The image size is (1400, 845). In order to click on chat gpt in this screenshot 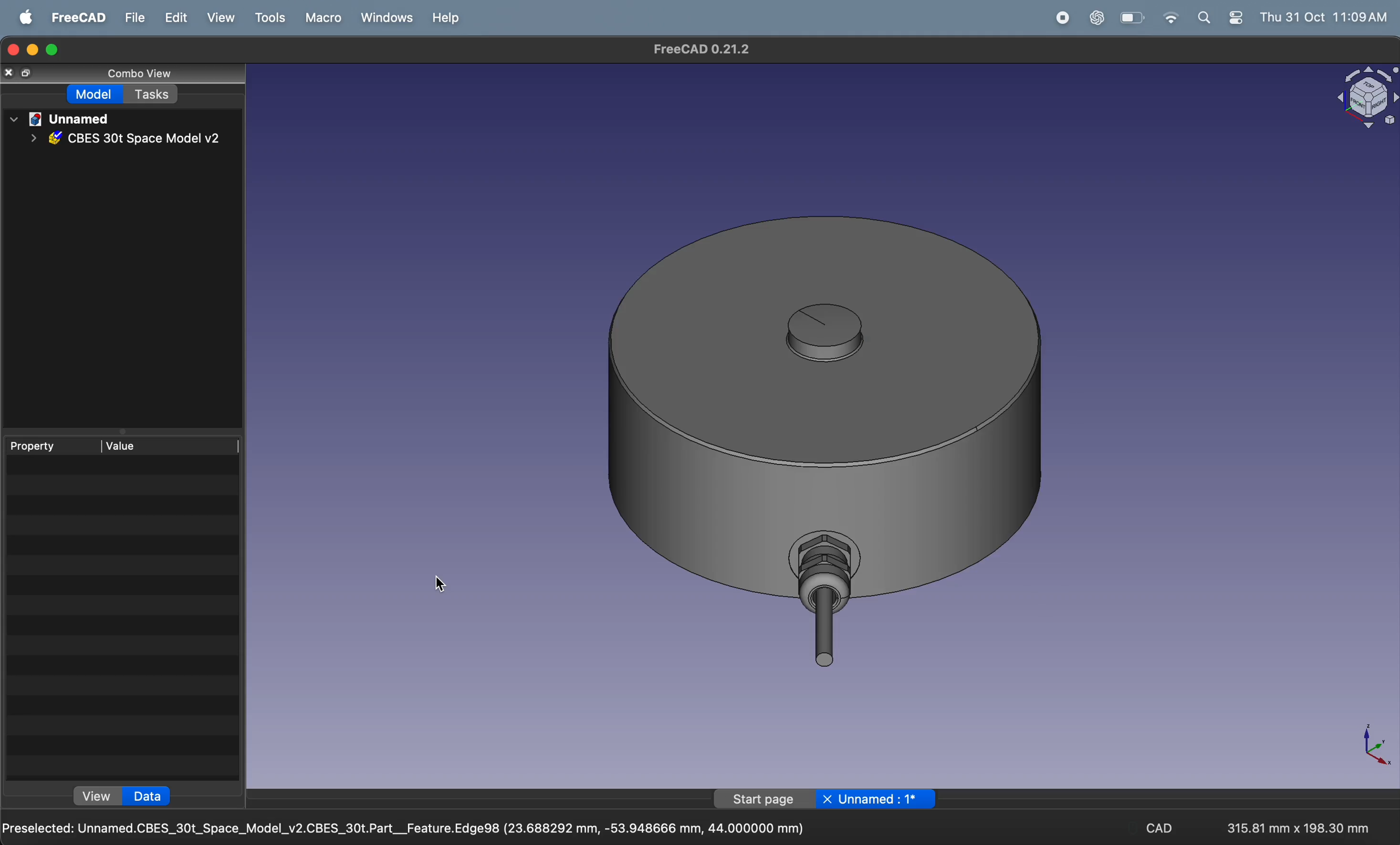, I will do `click(1096, 19)`.